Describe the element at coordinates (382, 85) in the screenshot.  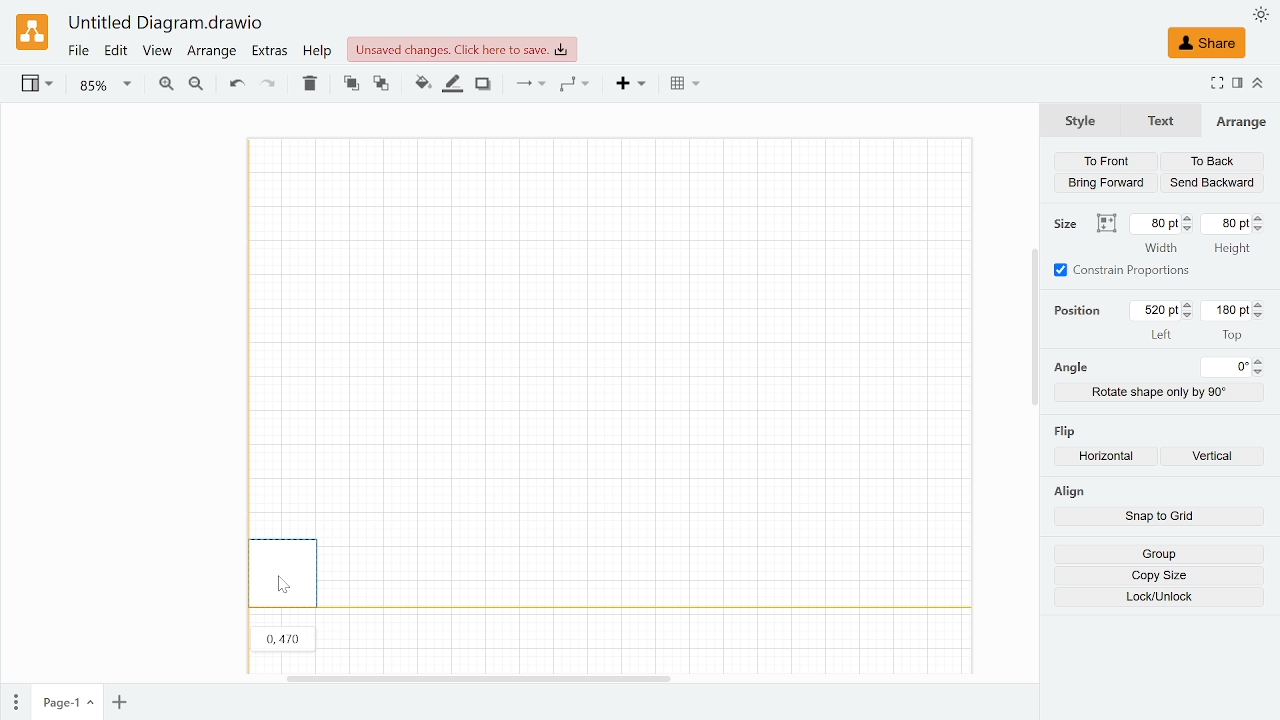
I see `To back` at that location.